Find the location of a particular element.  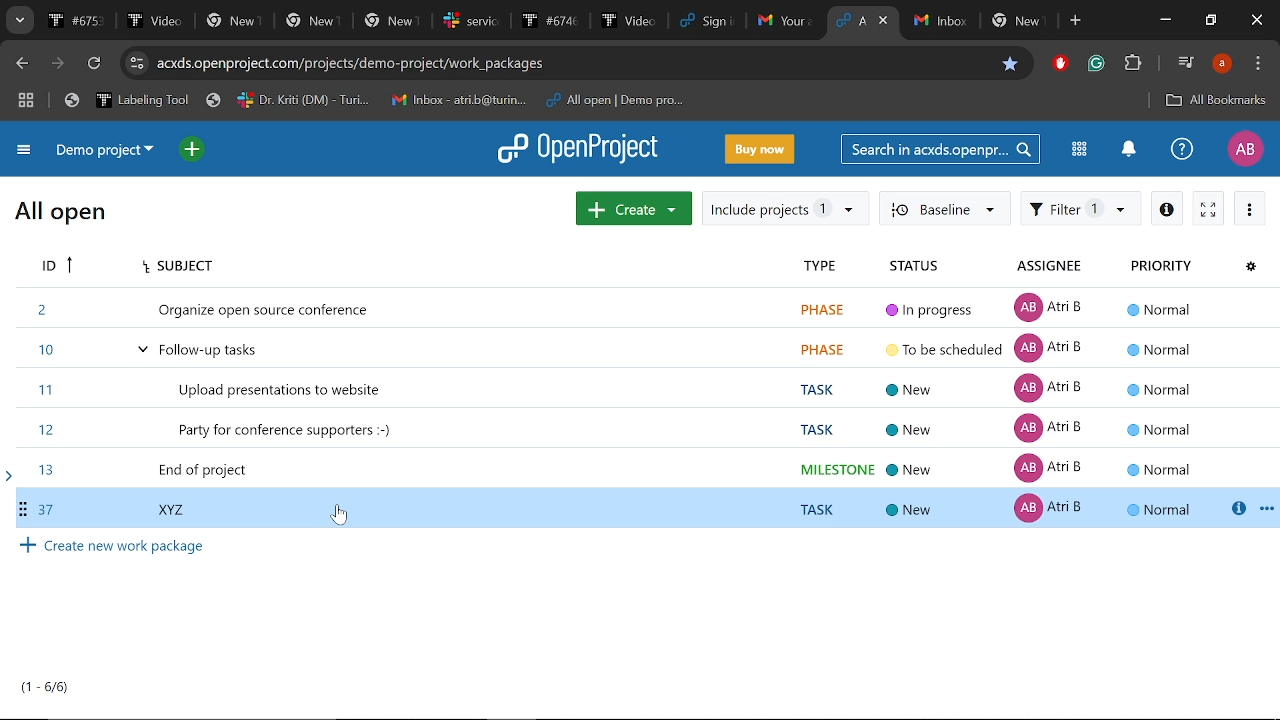

Open project menu is located at coordinates (579, 149).